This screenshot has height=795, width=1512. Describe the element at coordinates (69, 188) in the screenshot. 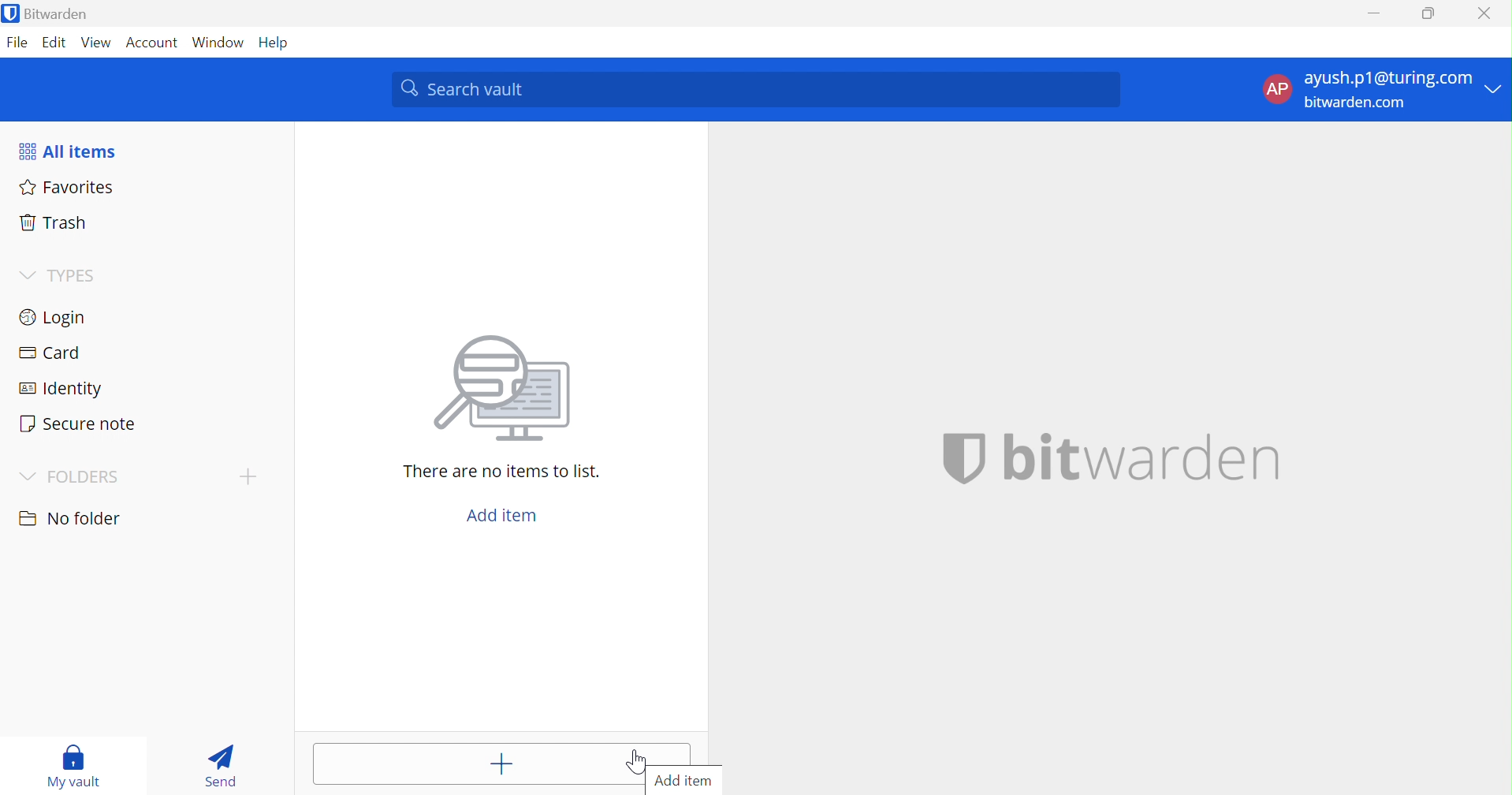

I see `Favorites` at that location.